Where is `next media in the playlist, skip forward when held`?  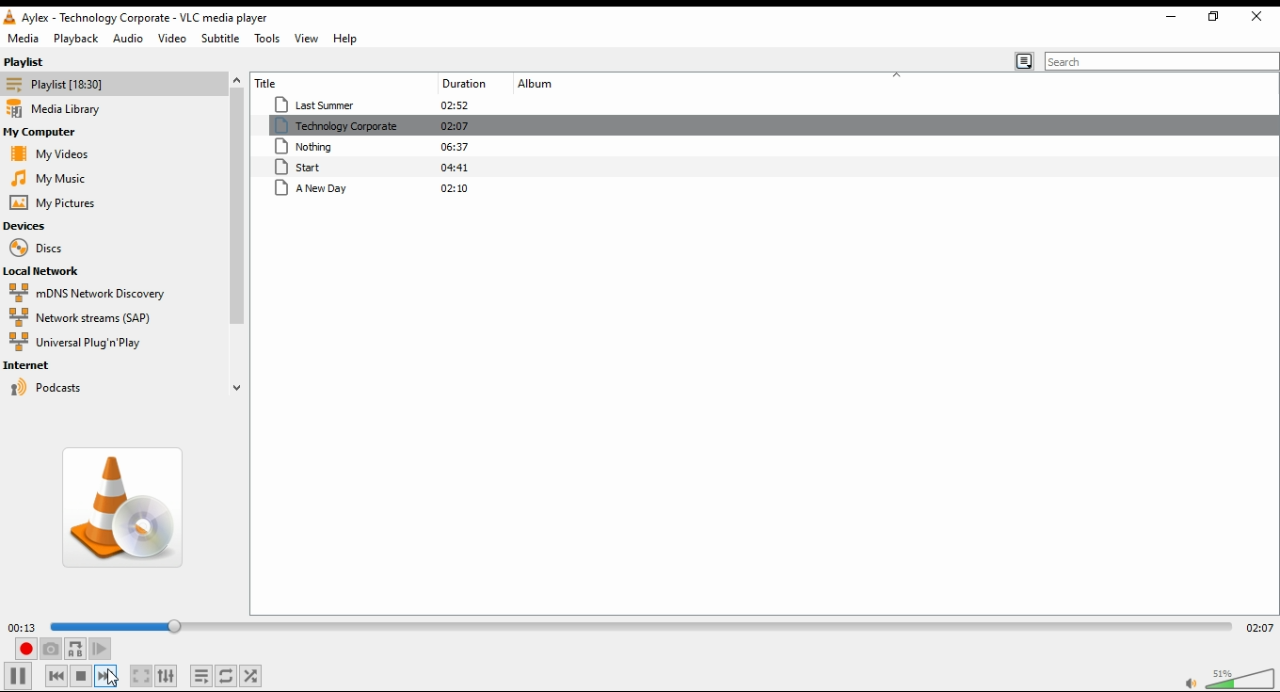 next media in the playlist, skip forward when held is located at coordinates (101, 718).